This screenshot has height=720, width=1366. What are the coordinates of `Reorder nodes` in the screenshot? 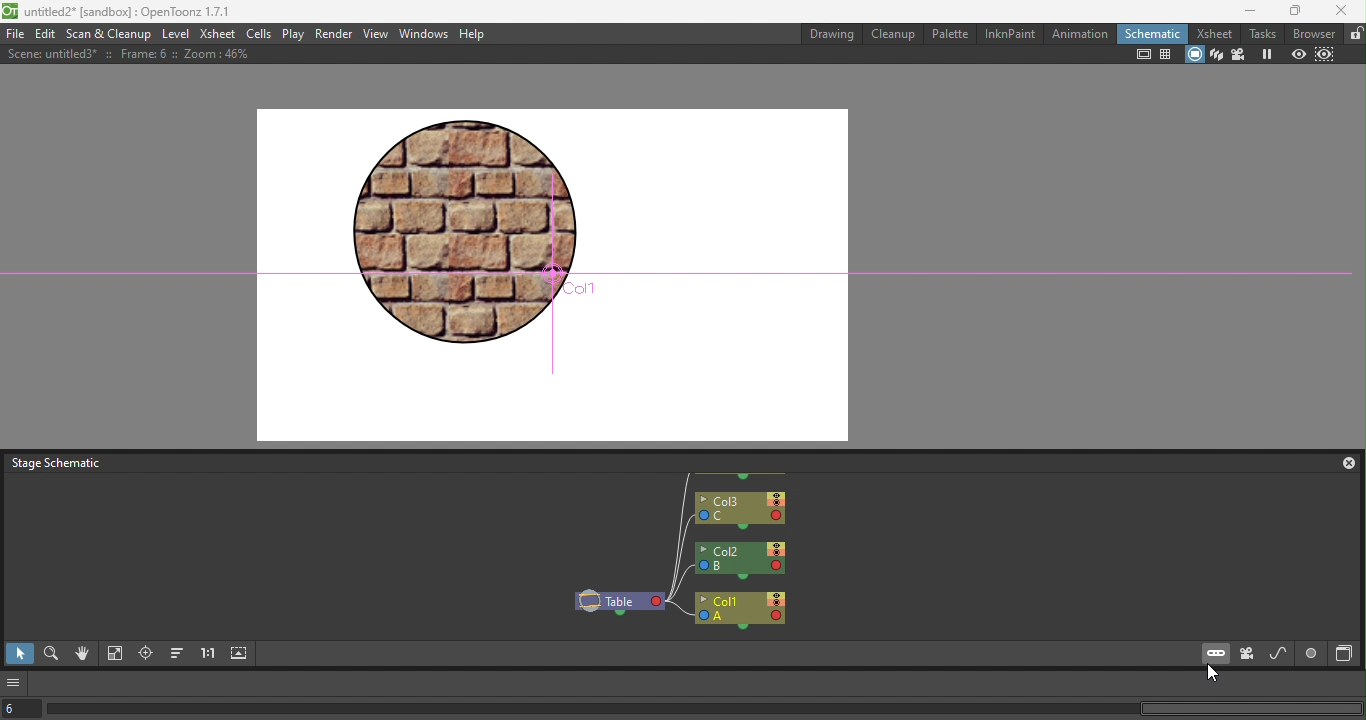 It's located at (176, 655).